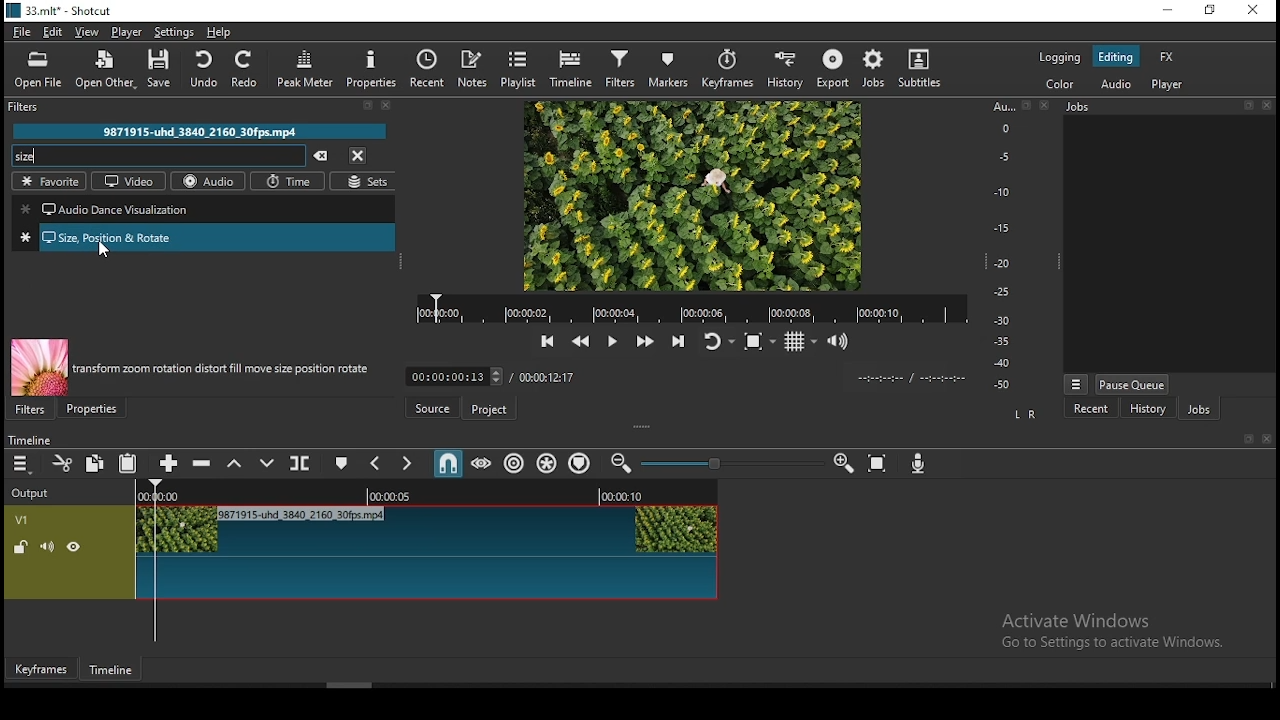 The height and width of the screenshot is (720, 1280). I want to click on 00:00:00:13, so click(447, 375).